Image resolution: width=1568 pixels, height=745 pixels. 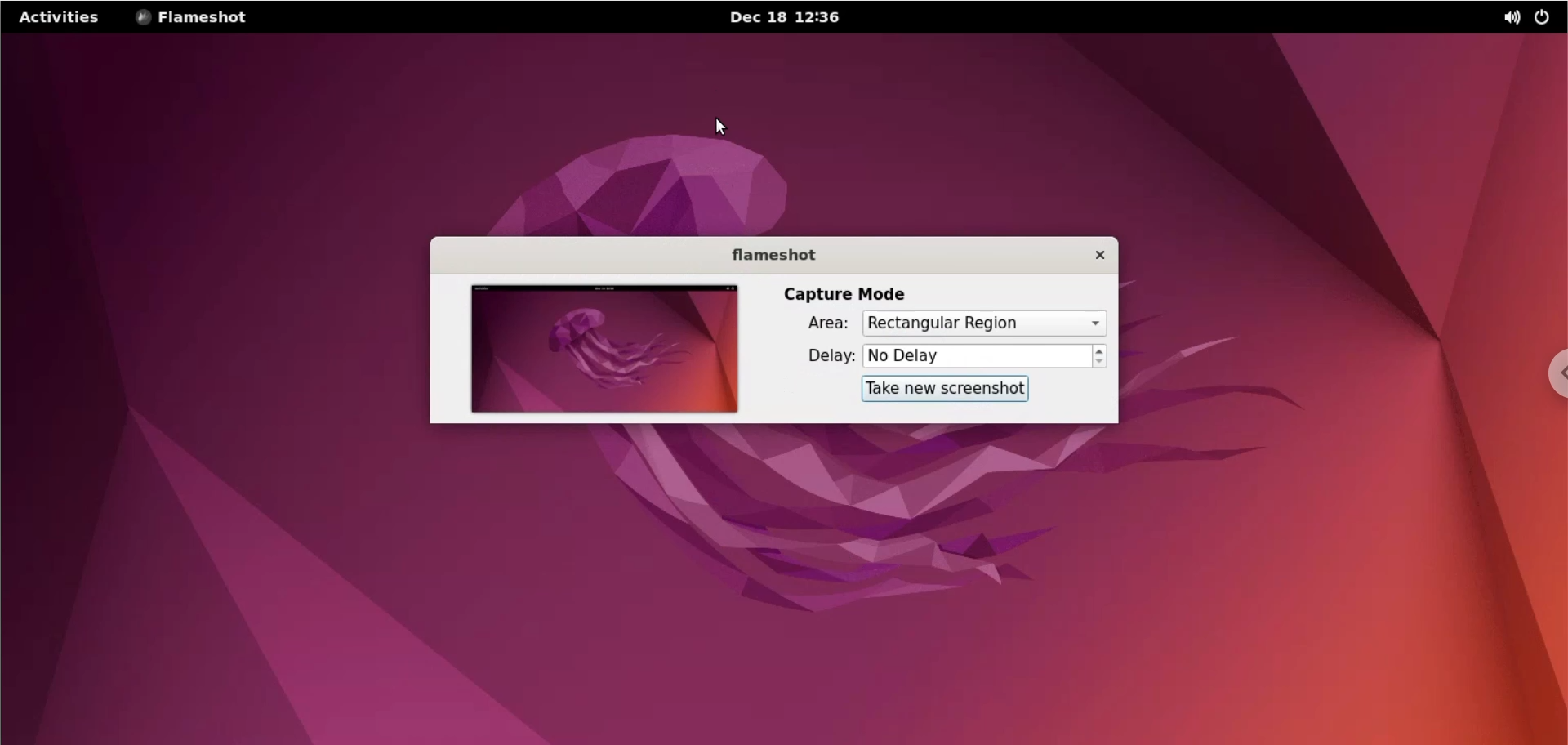 I want to click on delay label, so click(x=831, y=355).